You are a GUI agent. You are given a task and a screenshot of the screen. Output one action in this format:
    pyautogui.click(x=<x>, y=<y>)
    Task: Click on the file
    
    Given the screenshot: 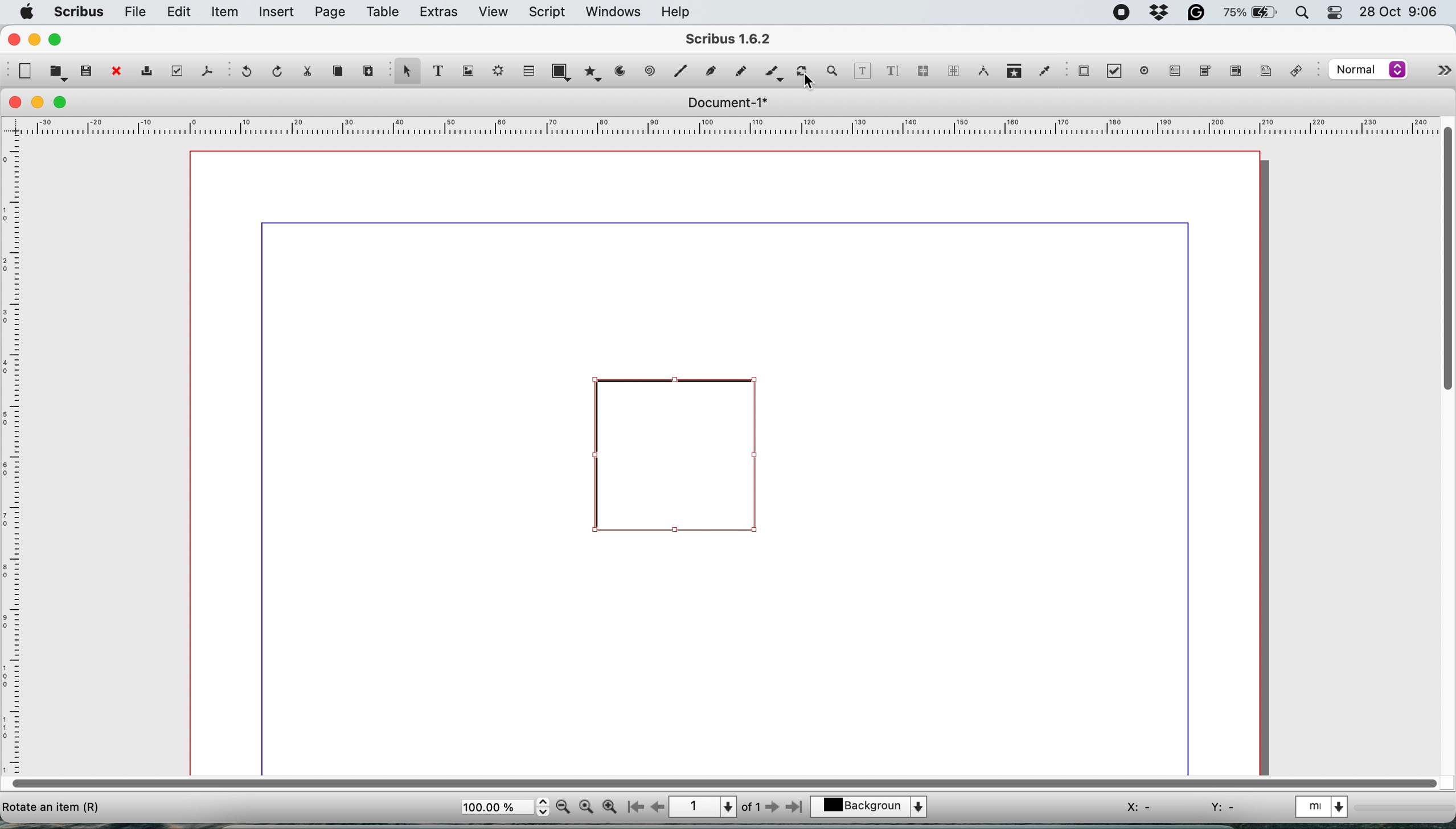 What is the action you would take?
    pyautogui.click(x=136, y=12)
    